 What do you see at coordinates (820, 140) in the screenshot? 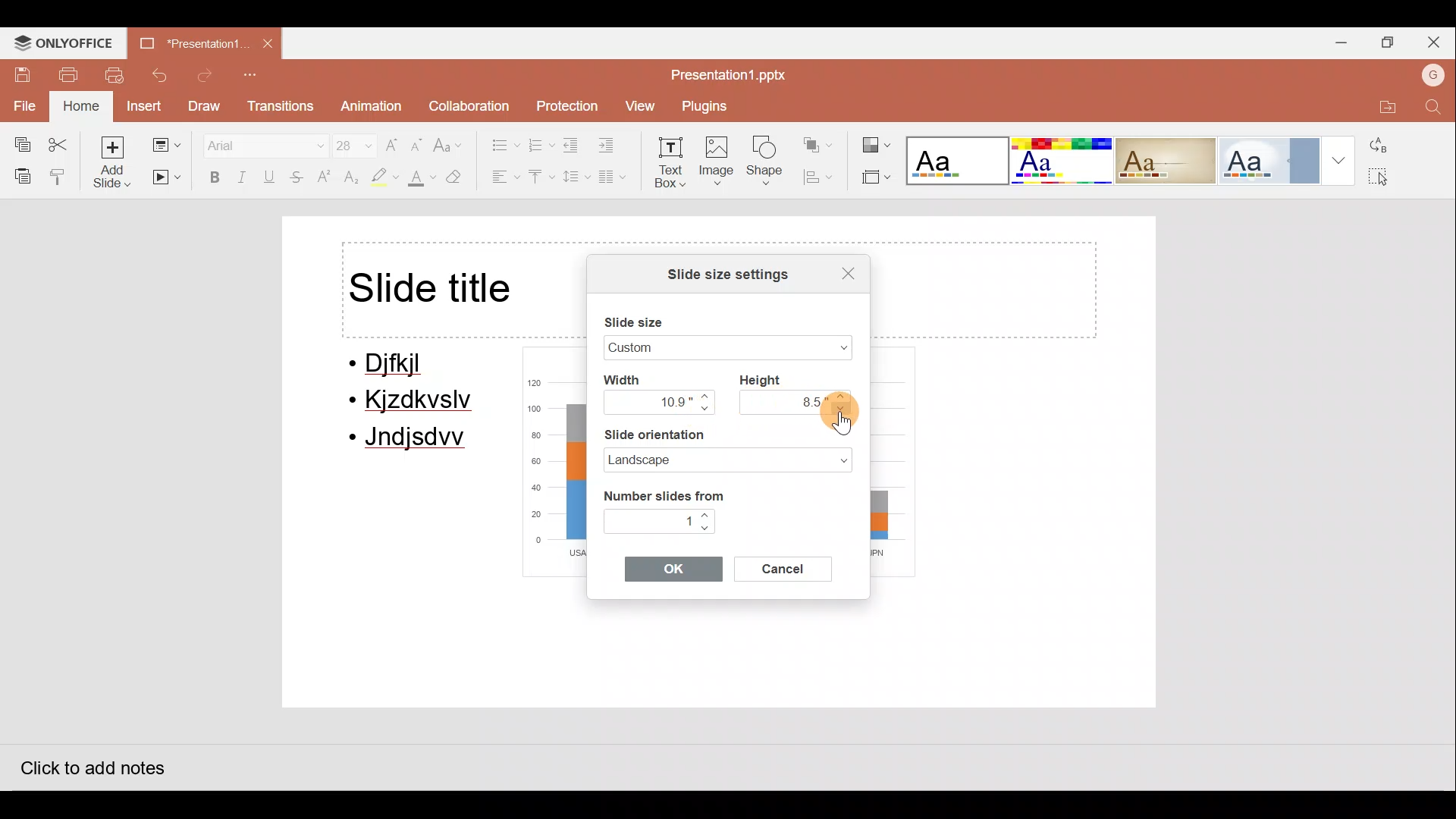
I see `Arrange shape` at bounding box center [820, 140].